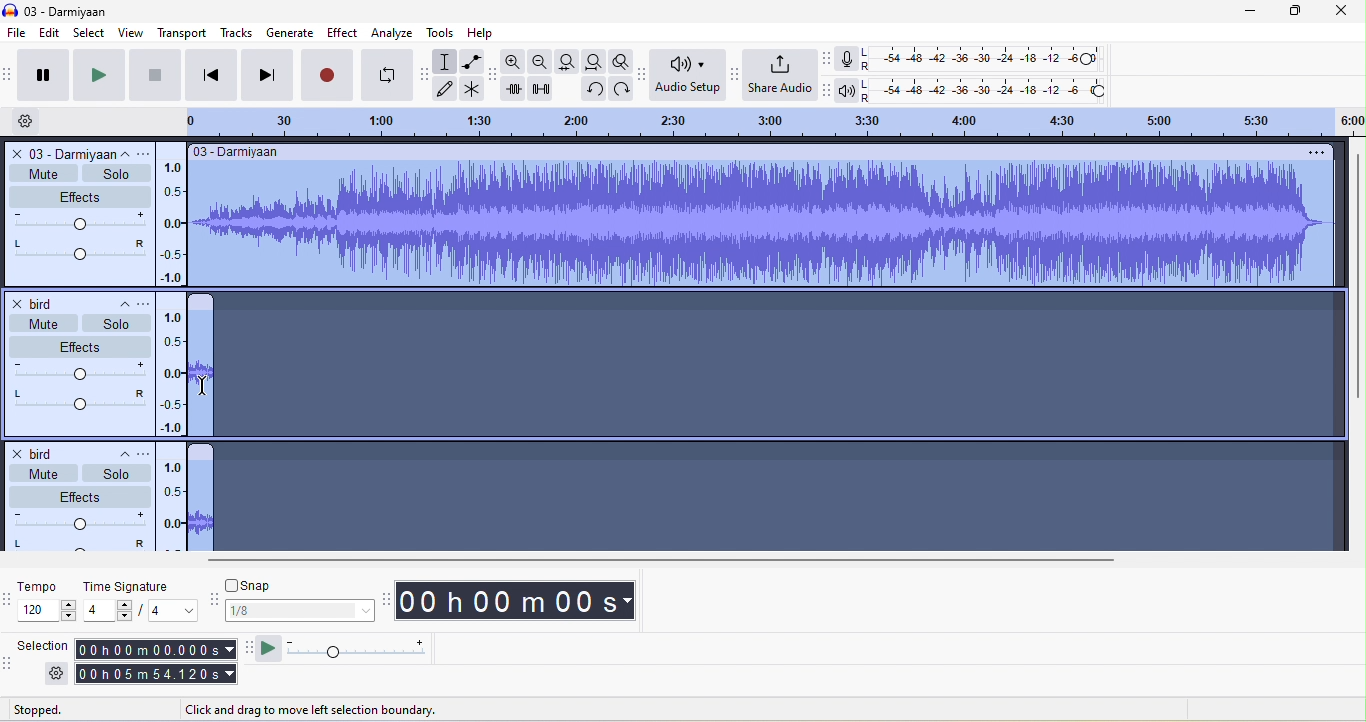  I want to click on audacity audio setup toolbar, so click(648, 73).